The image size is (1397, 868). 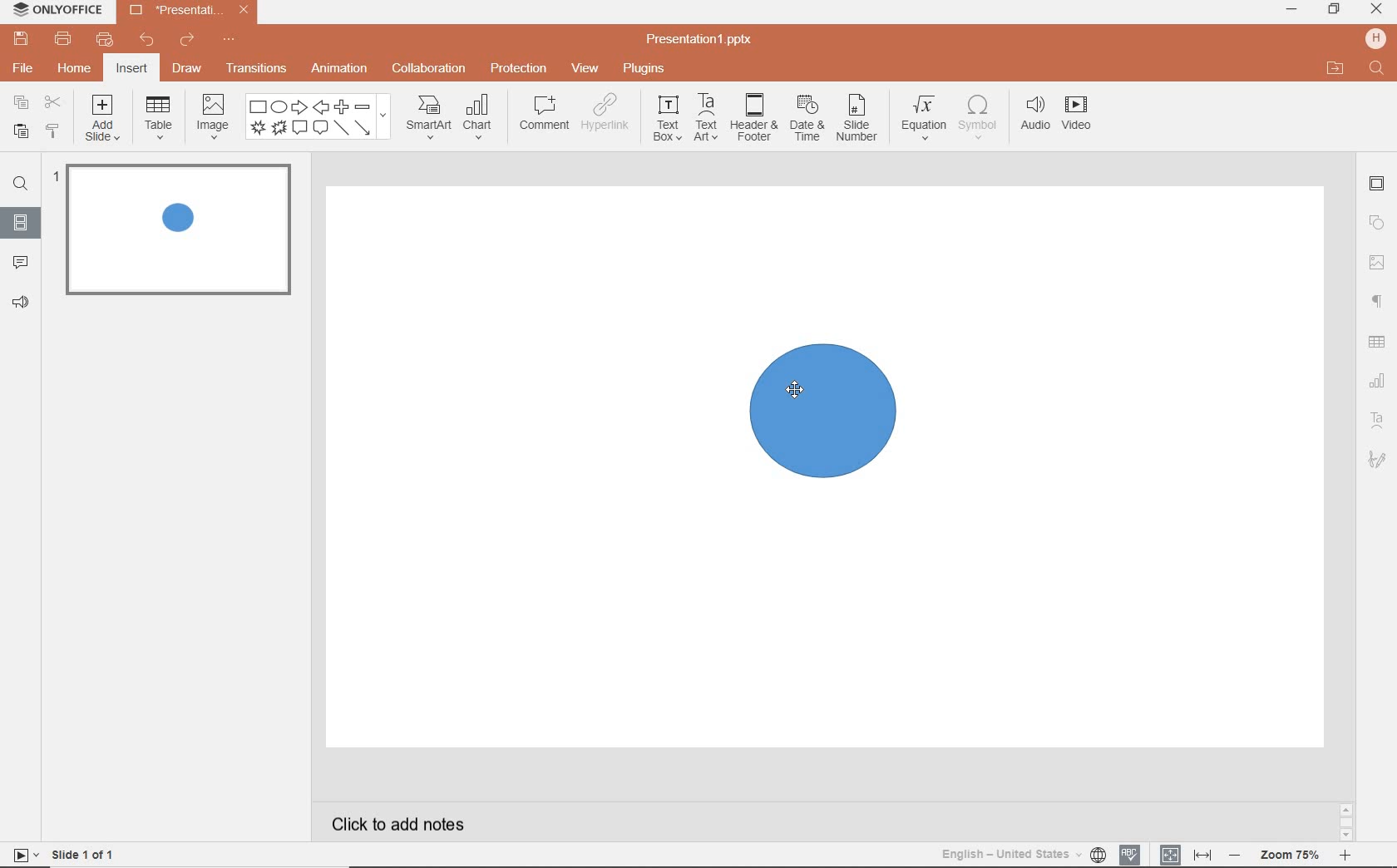 I want to click on undo, so click(x=149, y=41).